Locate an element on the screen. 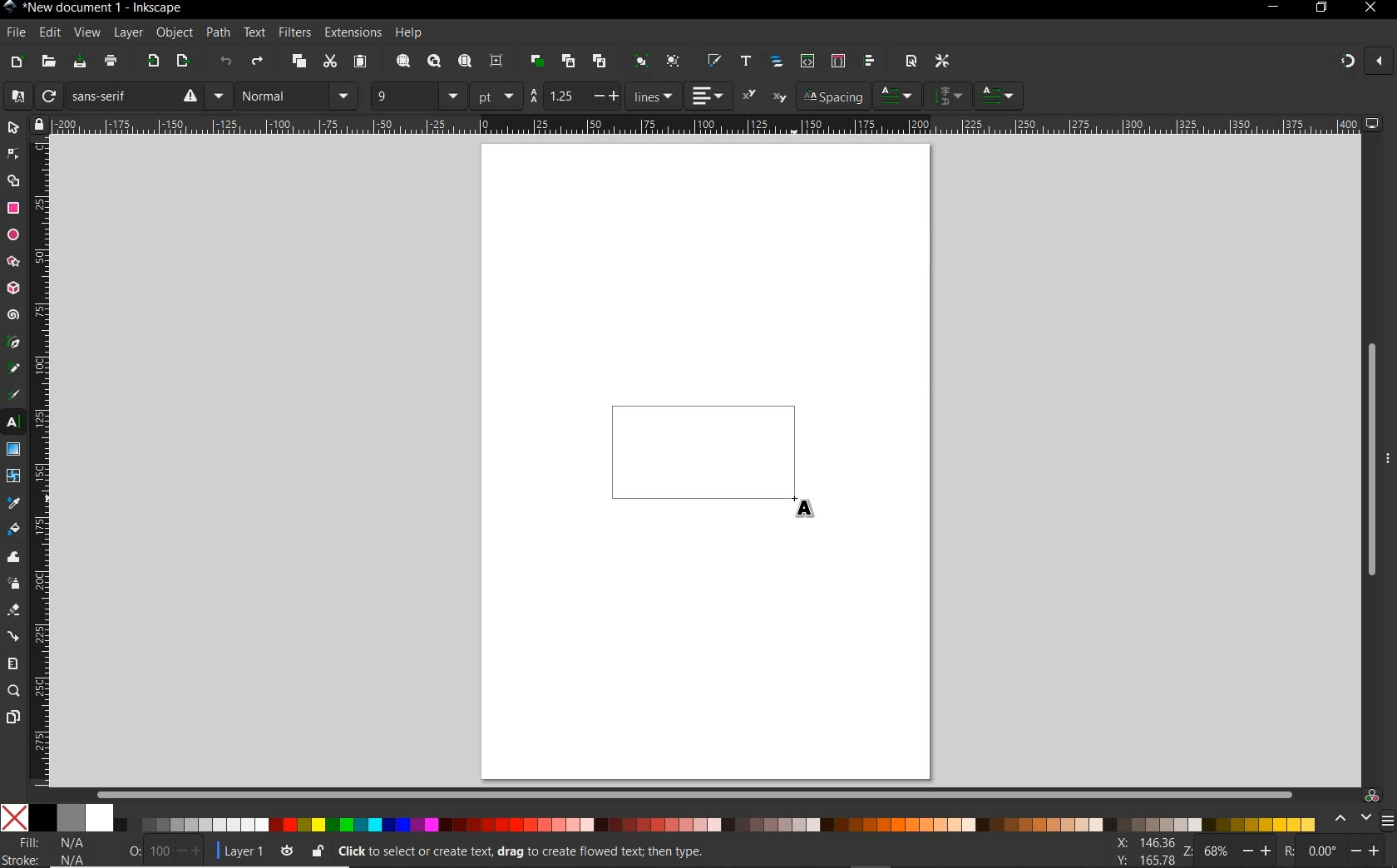  hide is located at coordinates (1389, 456).